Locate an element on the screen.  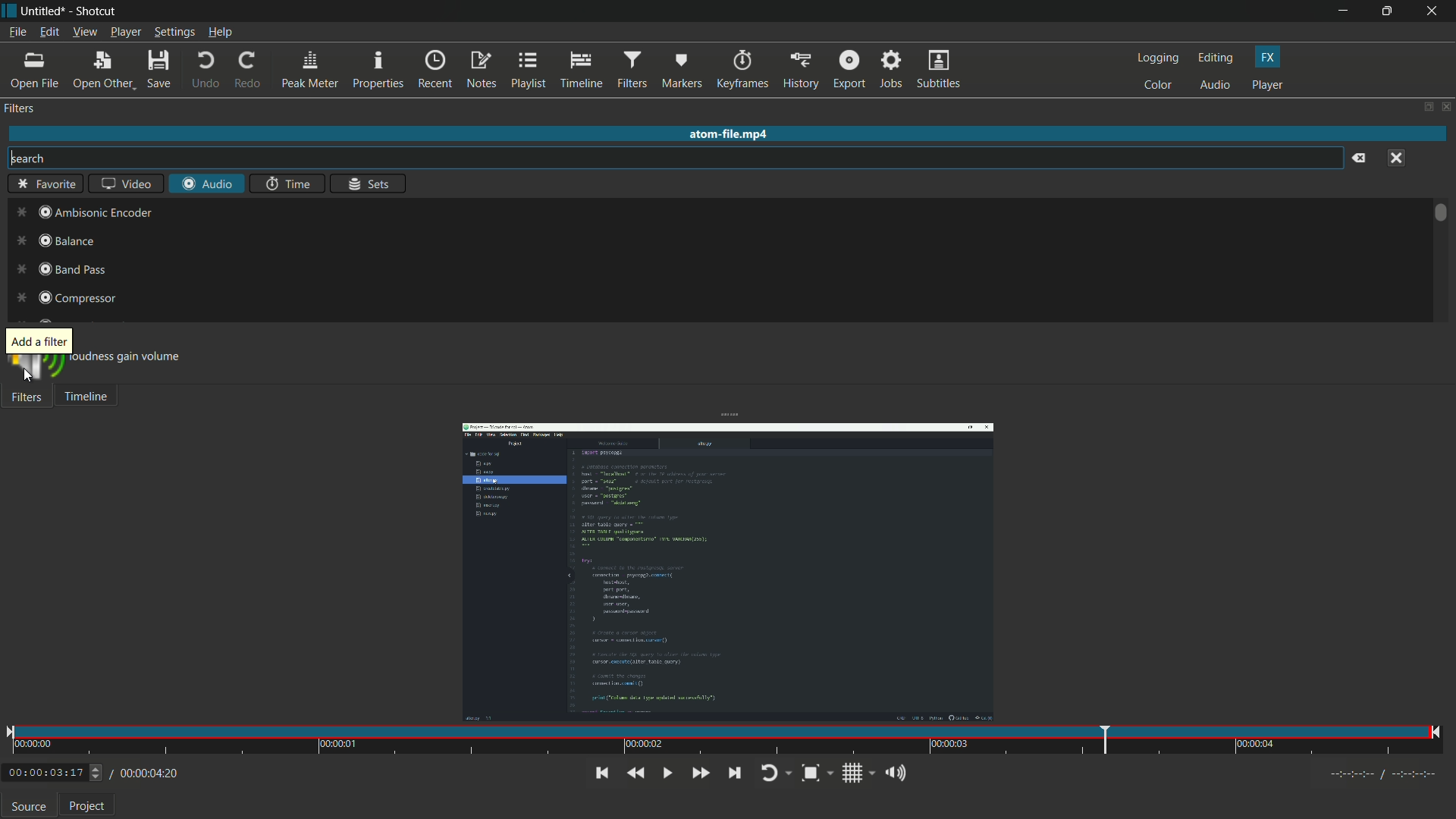
/00:00:04:20(total time) is located at coordinates (146, 771).